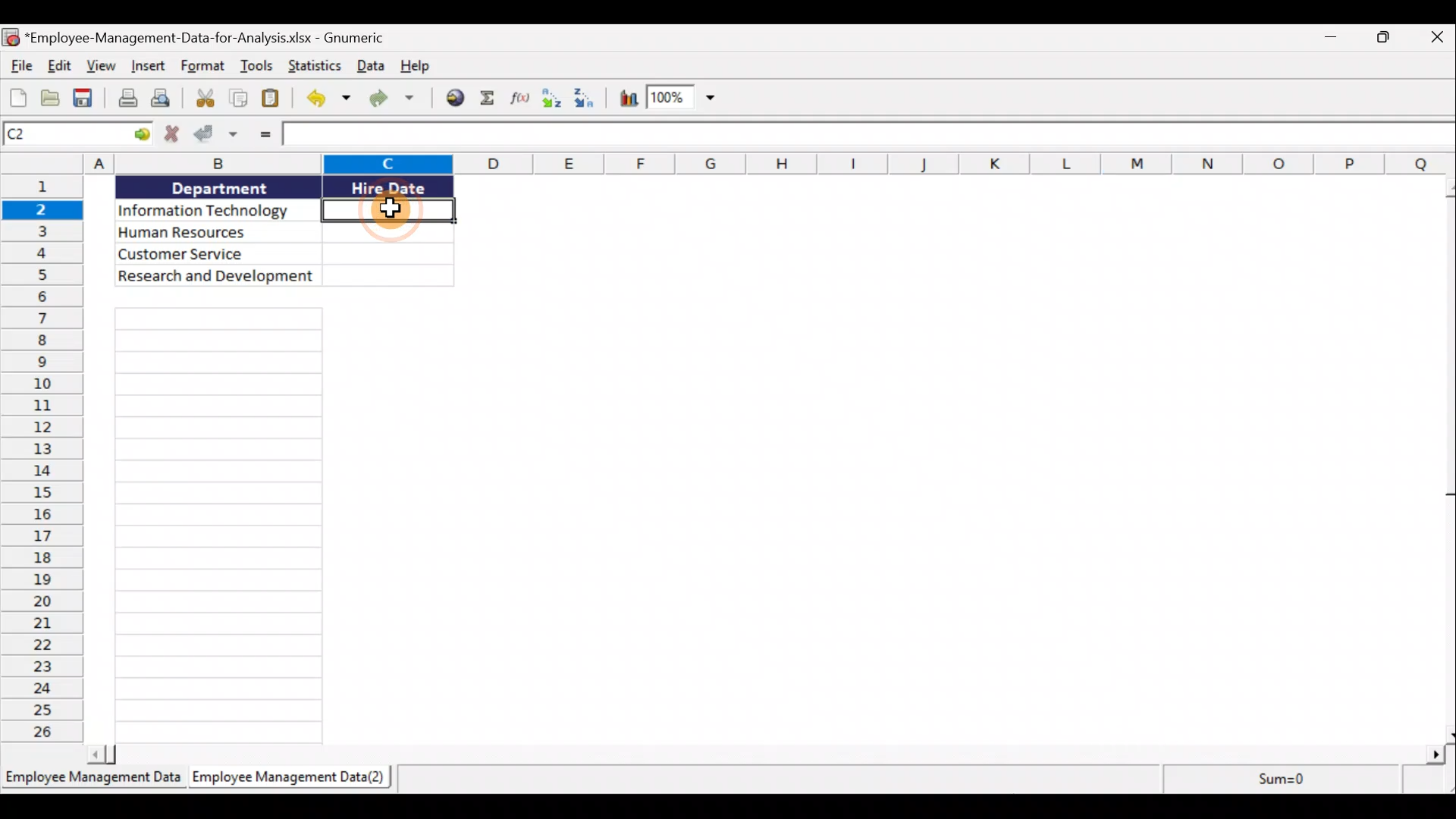  I want to click on Sheet 1, so click(93, 782).